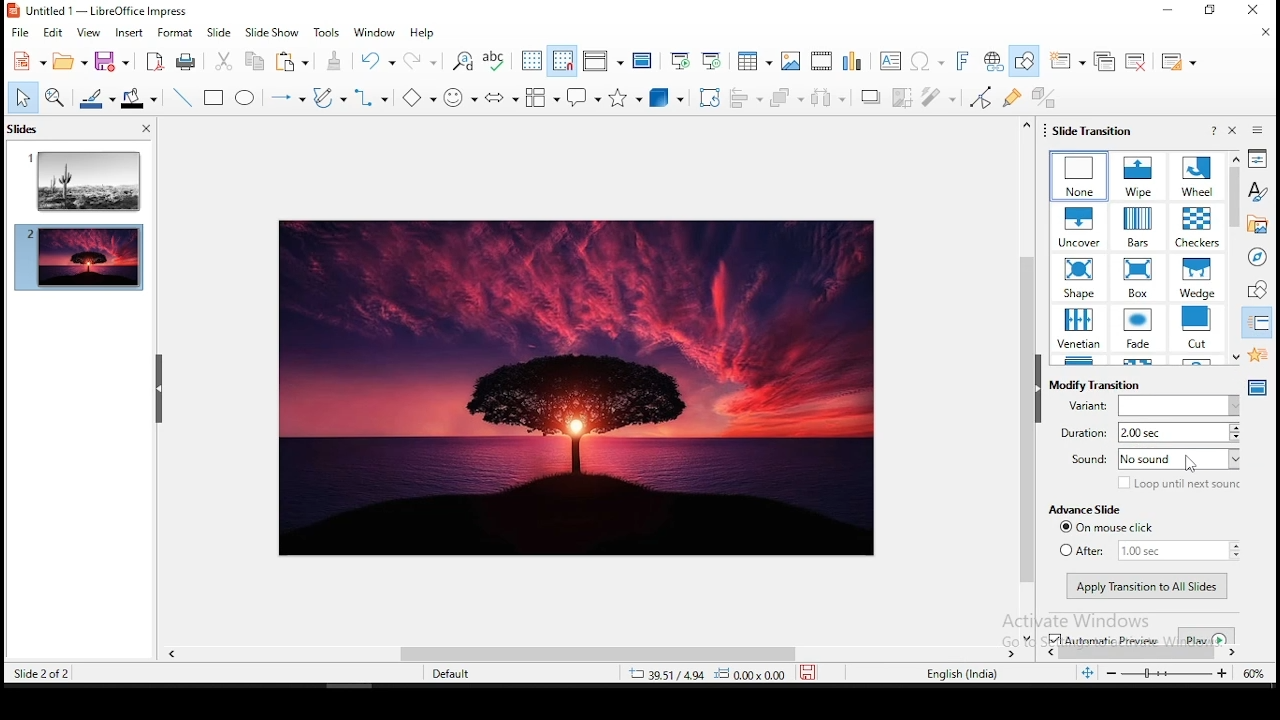 The width and height of the screenshot is (1280, 720). I want to click on snap to grids, so click(563, 61).